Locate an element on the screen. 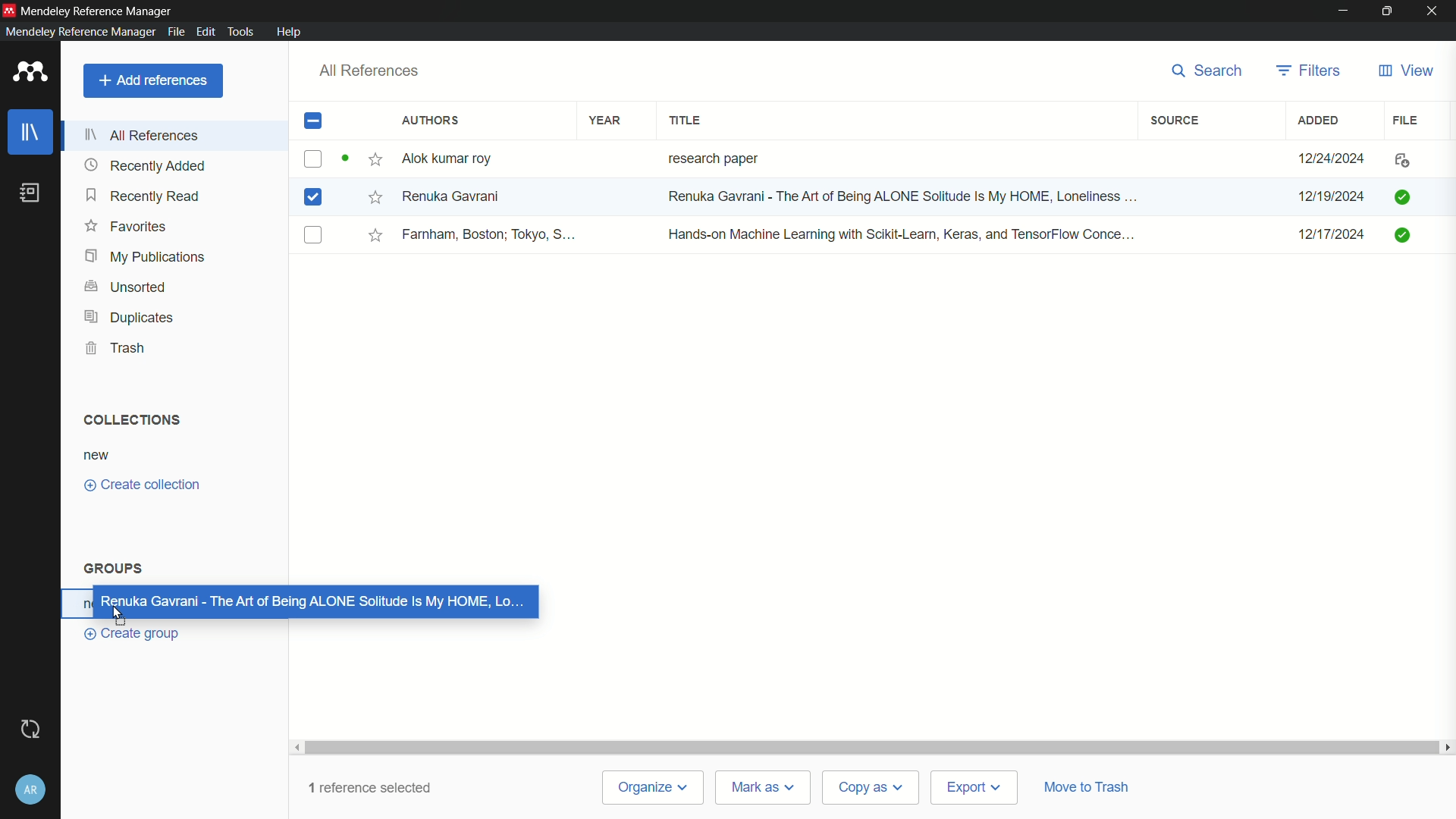  Renuka Gavrani is located at coordinates (451, 196).